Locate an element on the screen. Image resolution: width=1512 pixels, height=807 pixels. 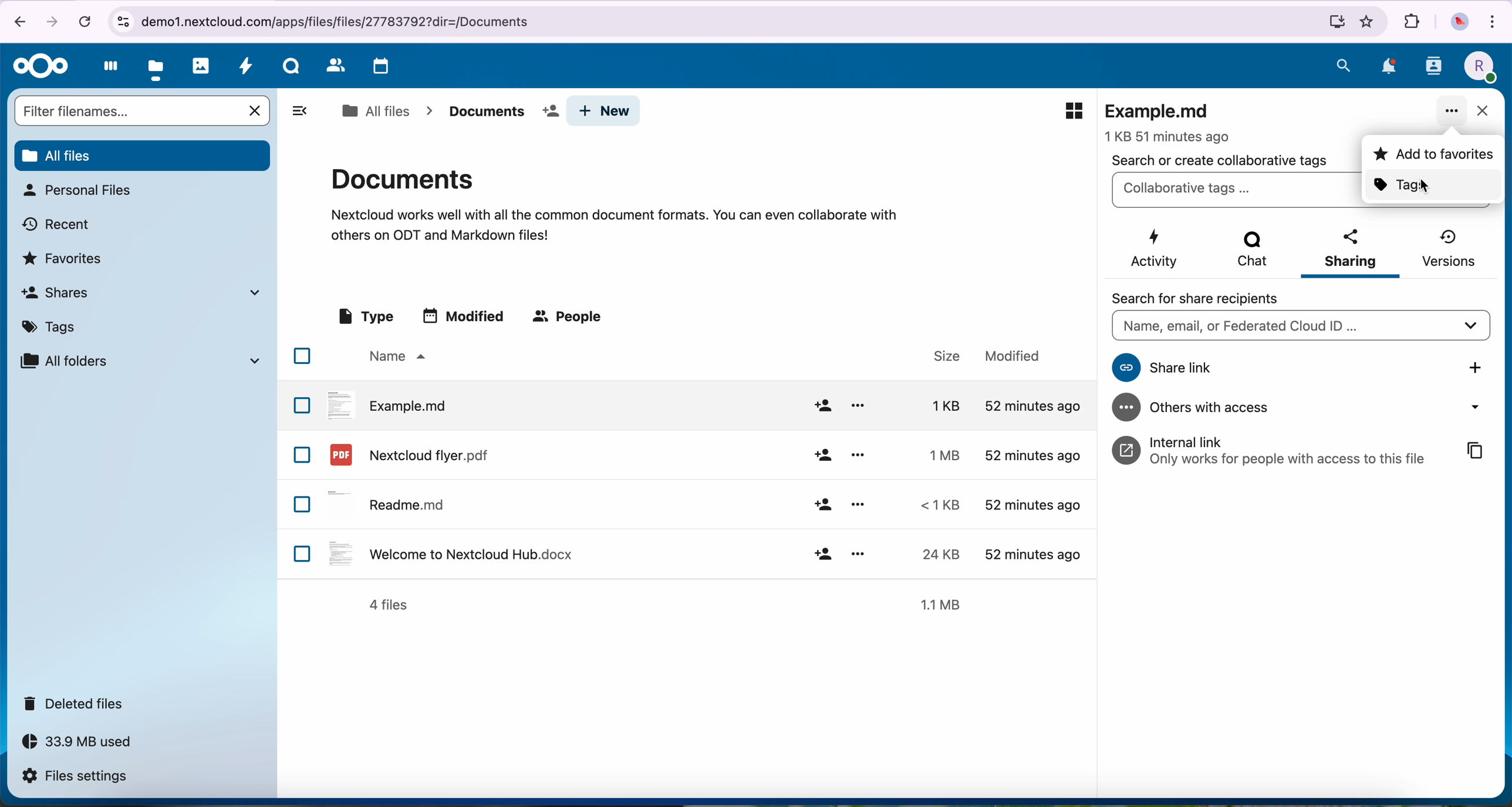
all files button is located at coordinates (141, 154).